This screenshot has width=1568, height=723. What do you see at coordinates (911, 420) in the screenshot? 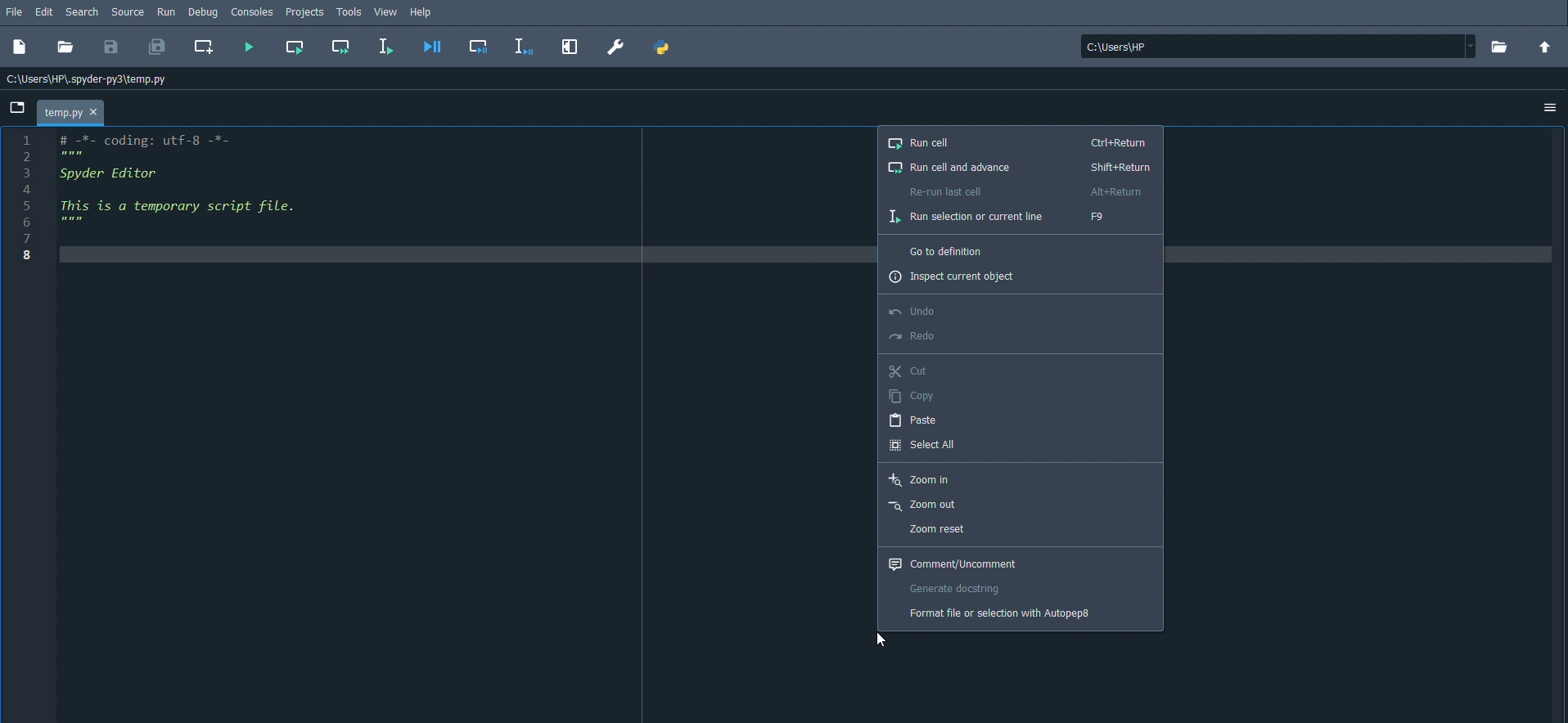
I see `Paste` at bounding box center [911, 420].